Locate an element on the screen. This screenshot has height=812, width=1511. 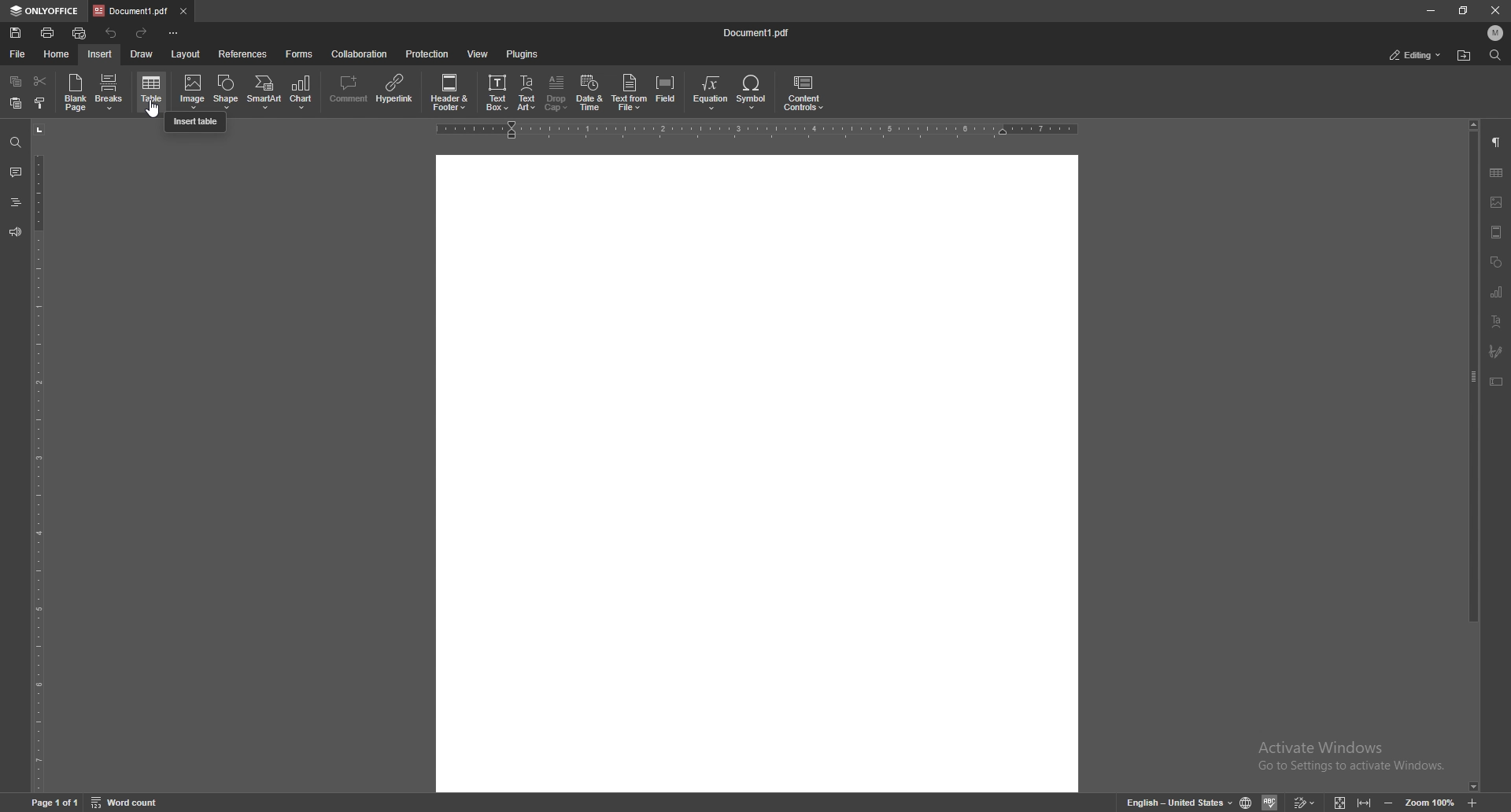
print is located at coordinates (48, 32).